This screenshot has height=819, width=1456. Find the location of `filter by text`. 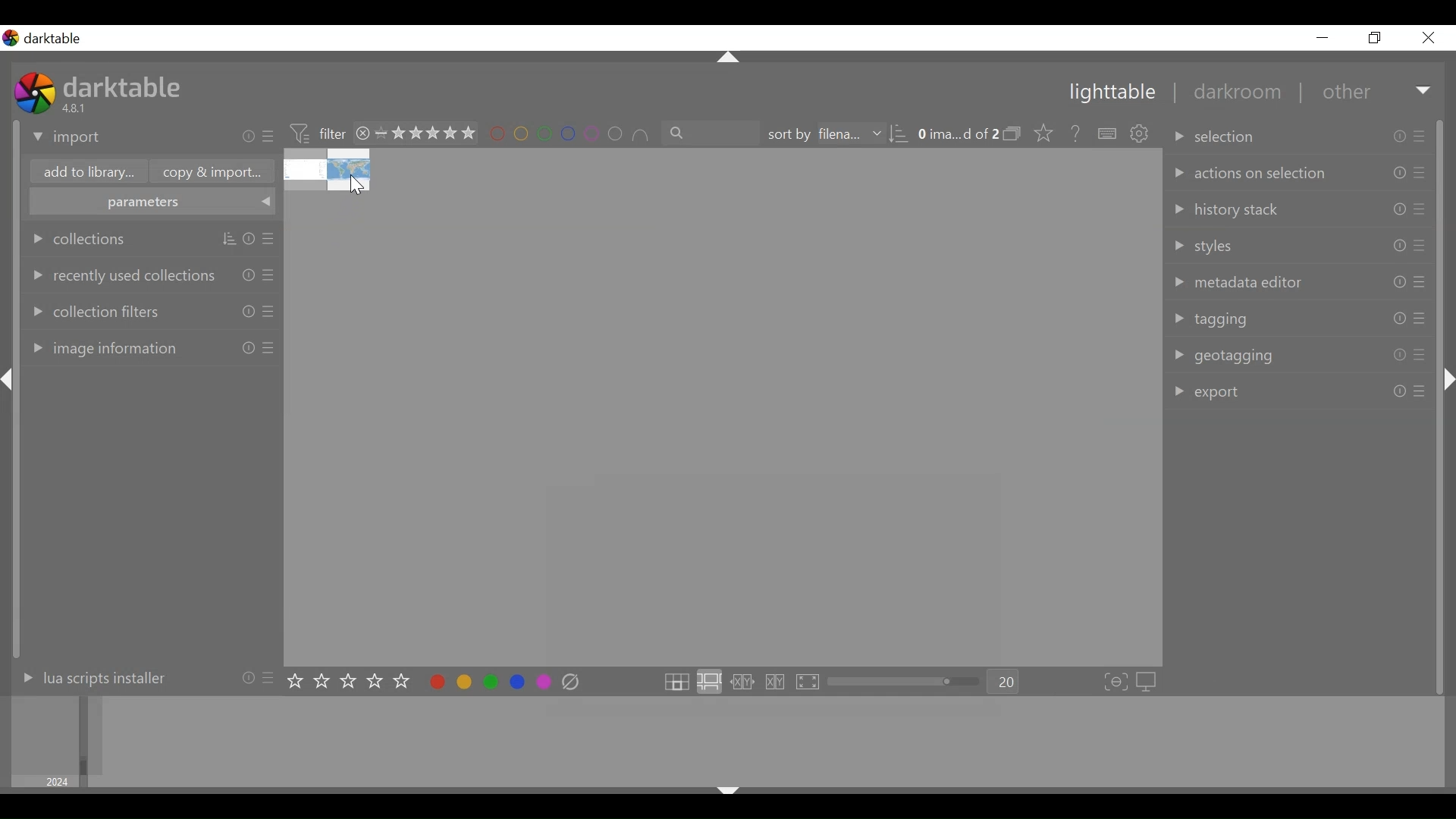

filter by text is located at coordinates (711, 134).